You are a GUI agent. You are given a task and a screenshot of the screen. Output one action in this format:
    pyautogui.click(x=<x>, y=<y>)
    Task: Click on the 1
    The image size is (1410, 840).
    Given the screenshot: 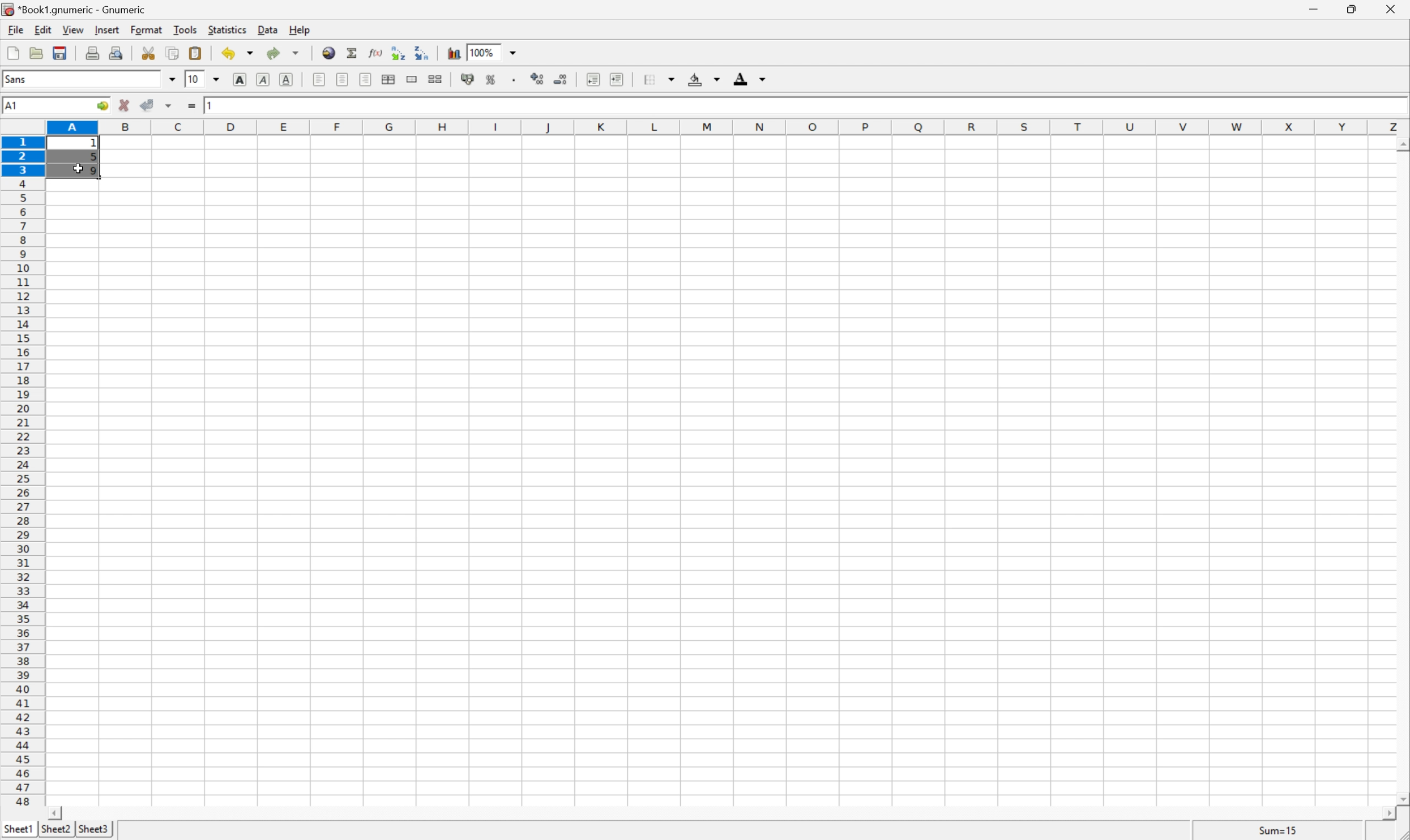 What is the action you would take?
    pyautogui.click(x=212, y=104)
    